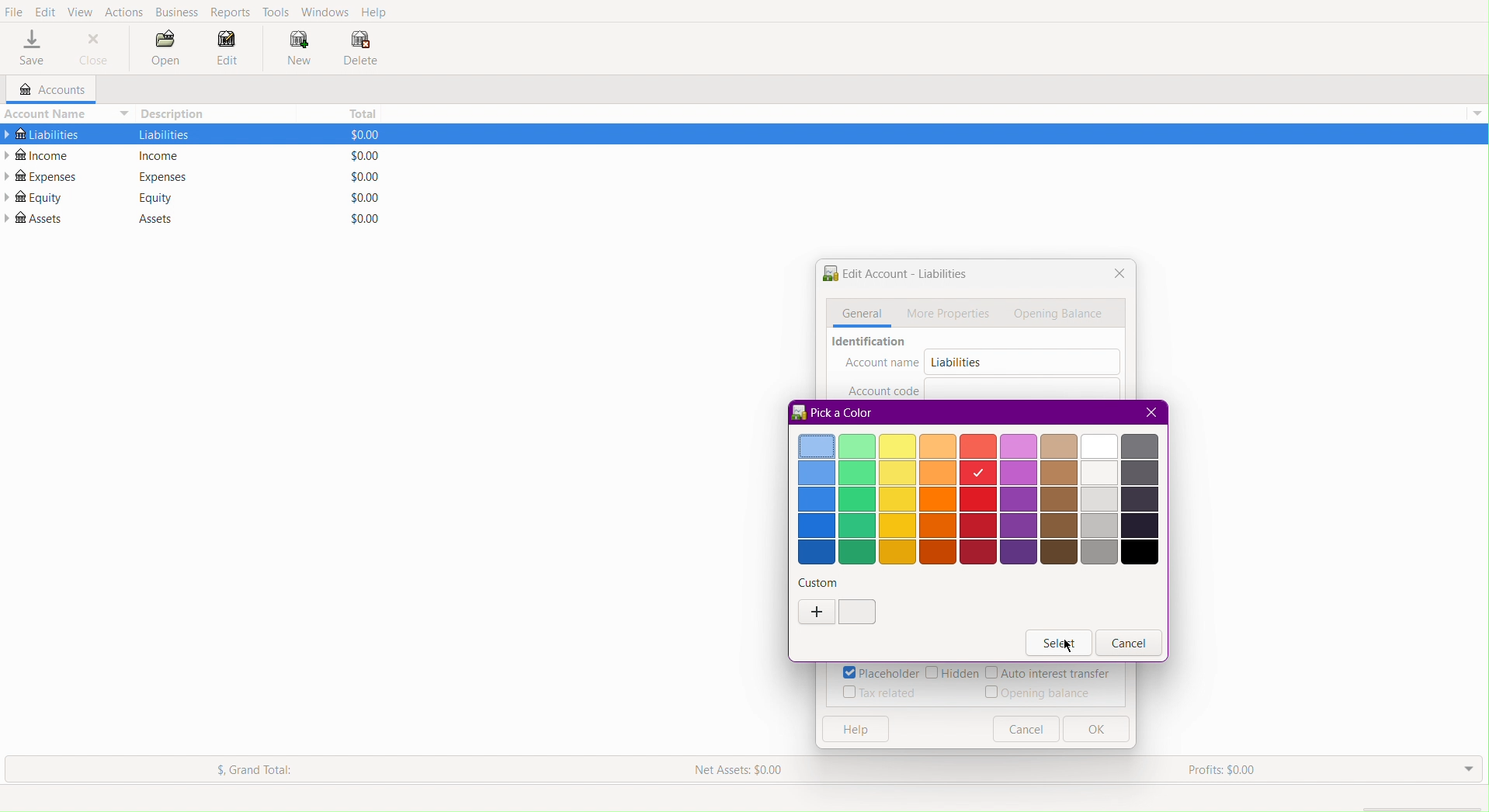  What do you see at coordinates (1061, 314) in the screenshot?
I see `Opening Balance` at bounding box center [1061, 314].